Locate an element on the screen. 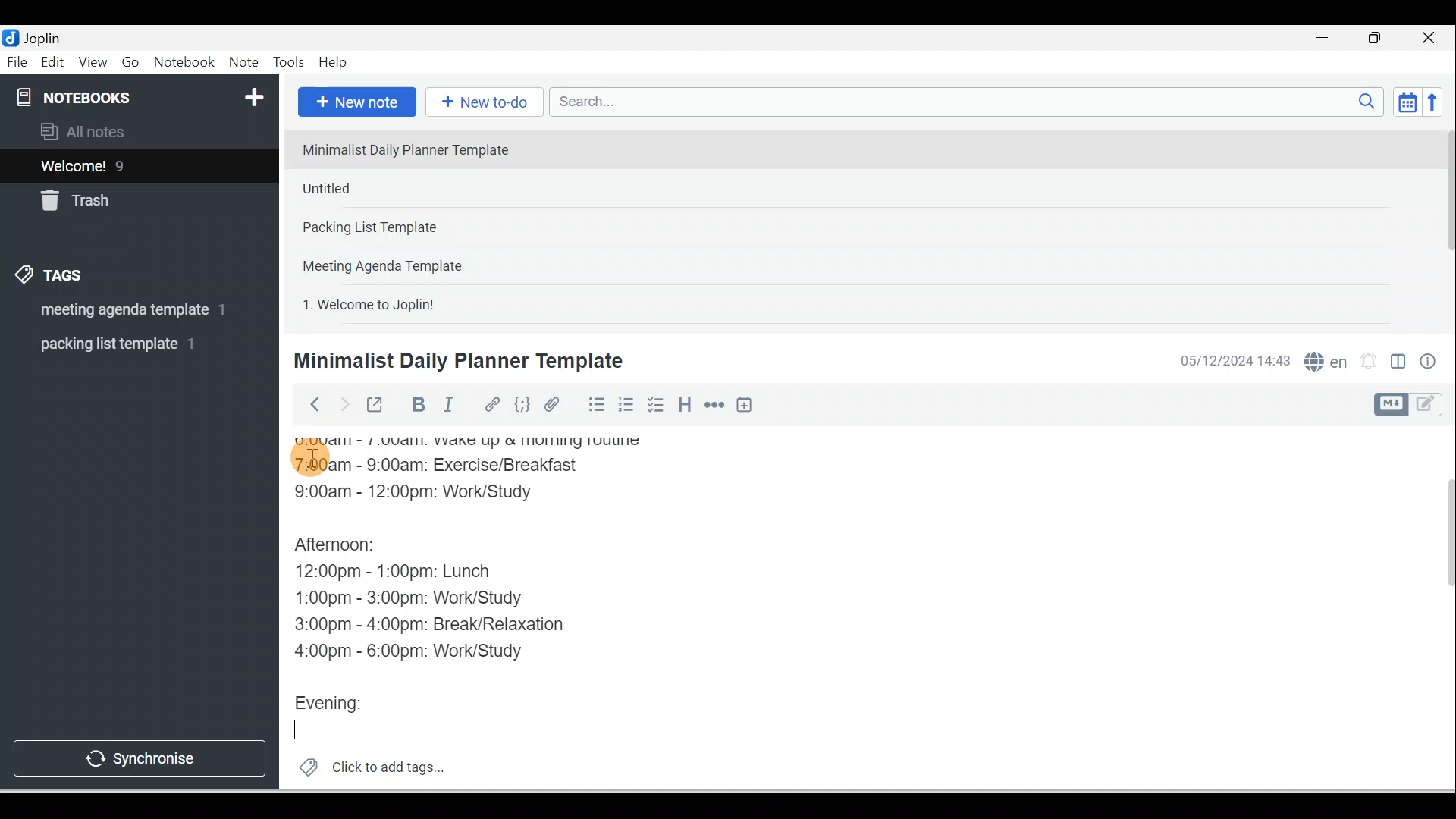 This screenshot has width=1456, height=819. Go is located at coordinates (133, 63).